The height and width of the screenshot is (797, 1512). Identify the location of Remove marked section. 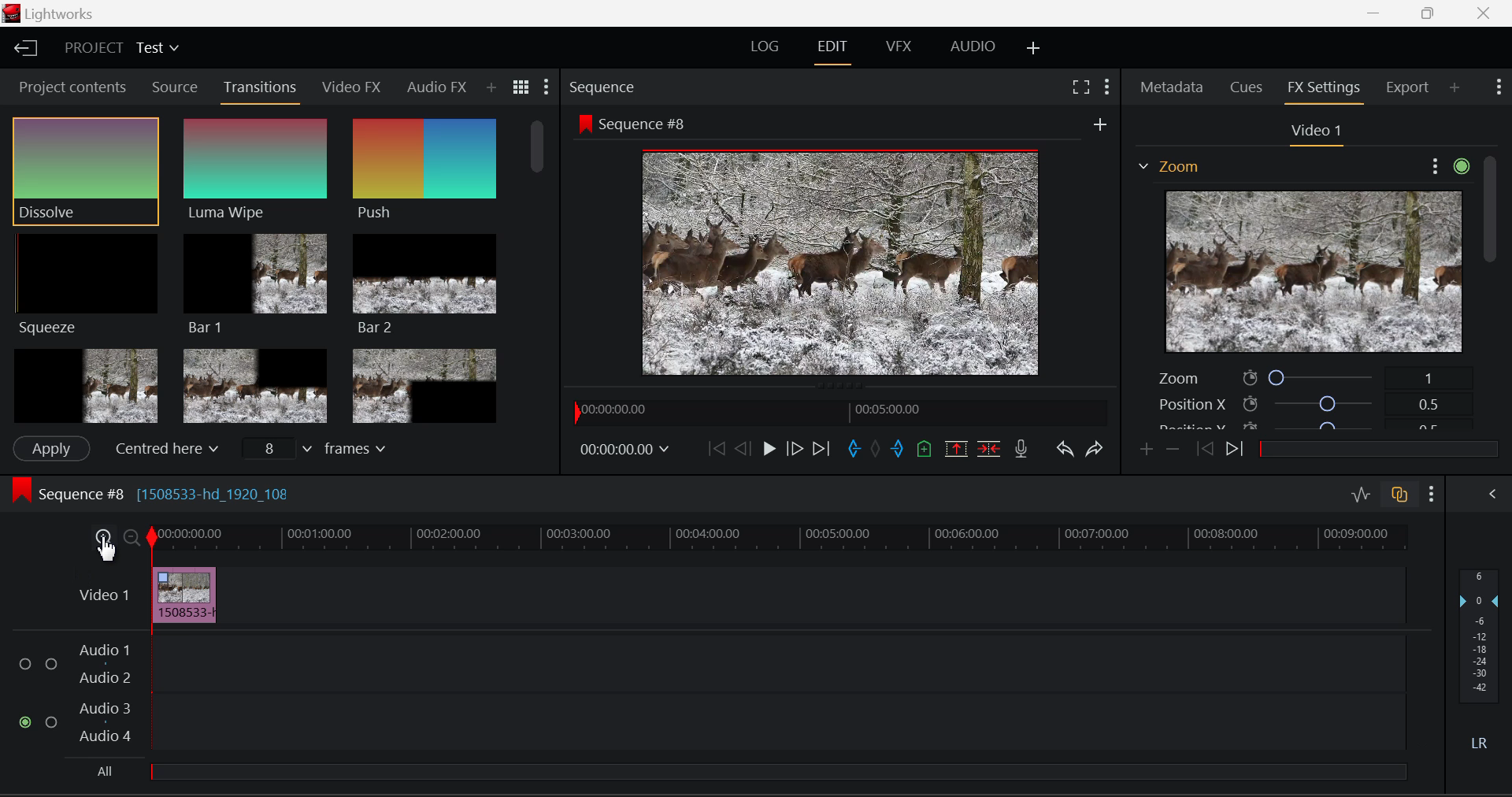
(955, 447).